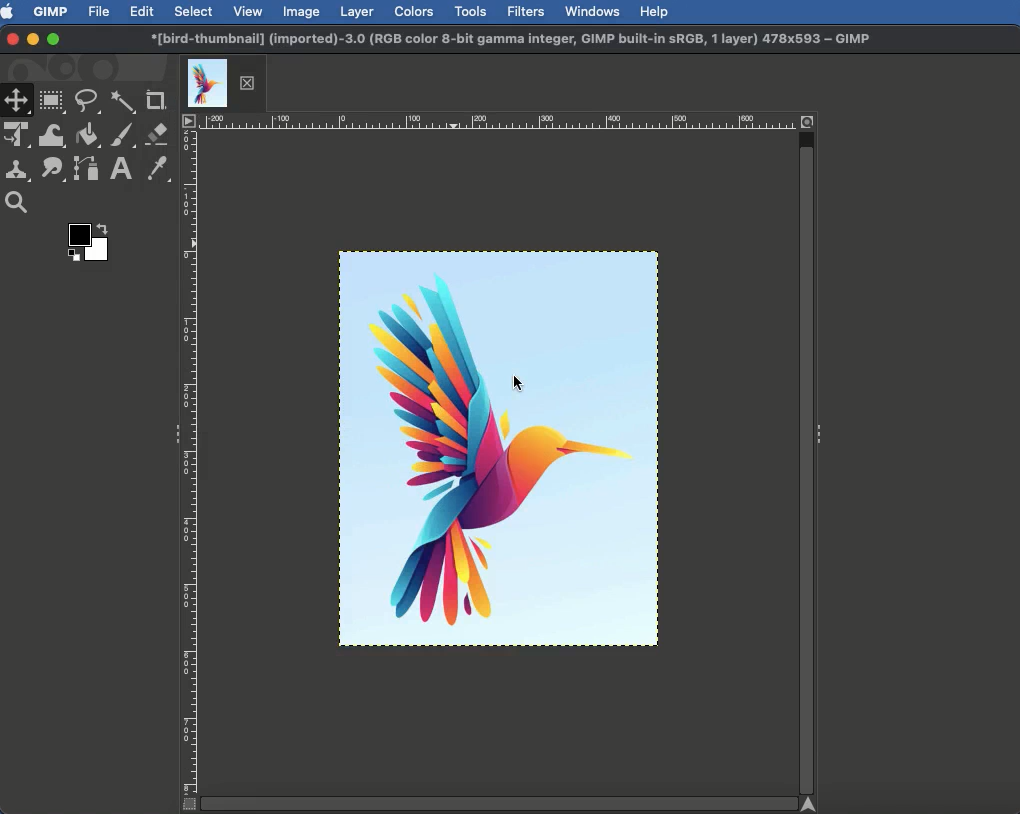  I want to click on Ruler, so click(190, 461).